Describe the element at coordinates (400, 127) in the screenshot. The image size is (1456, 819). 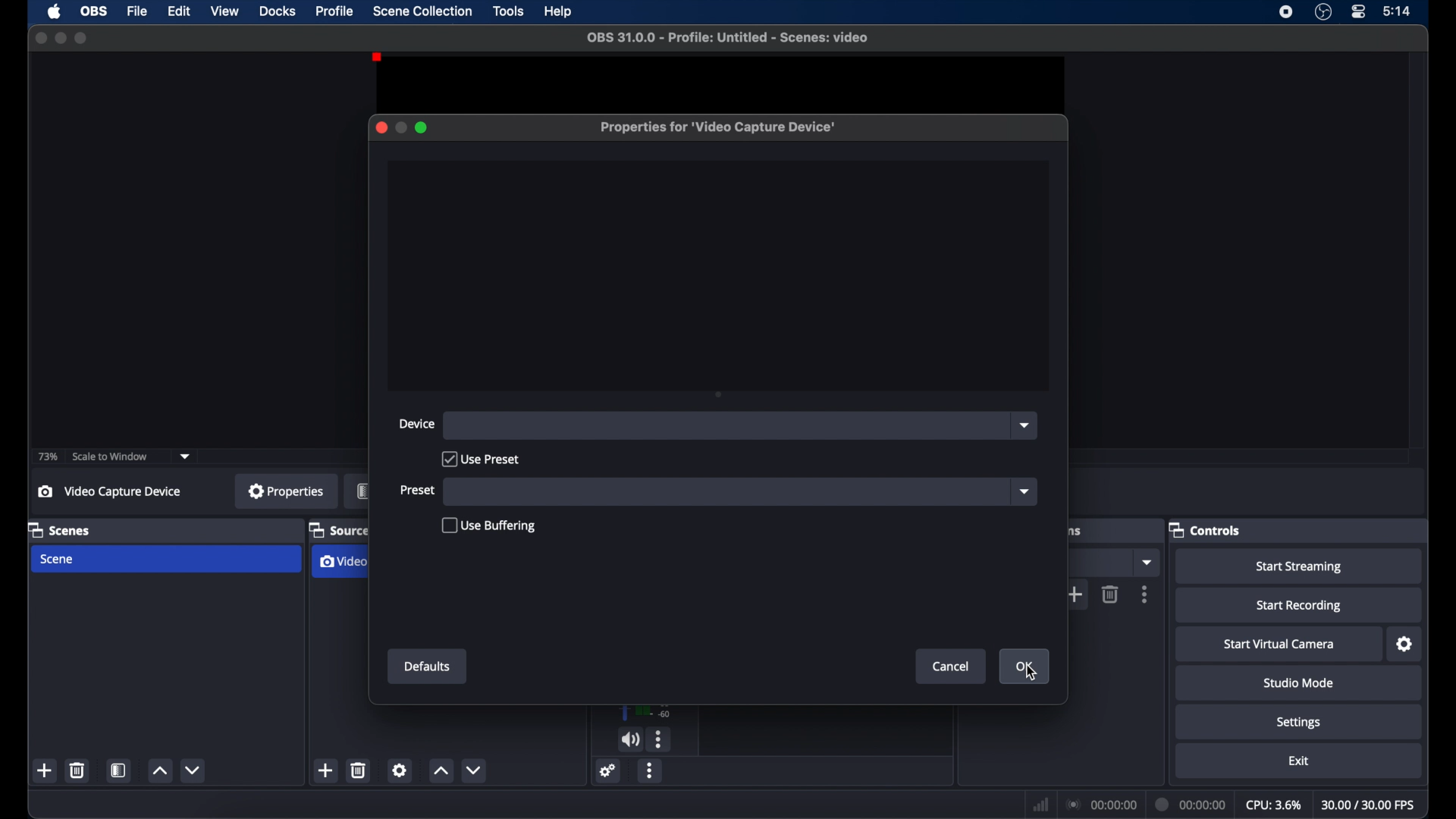
I see `minimize` at that location.